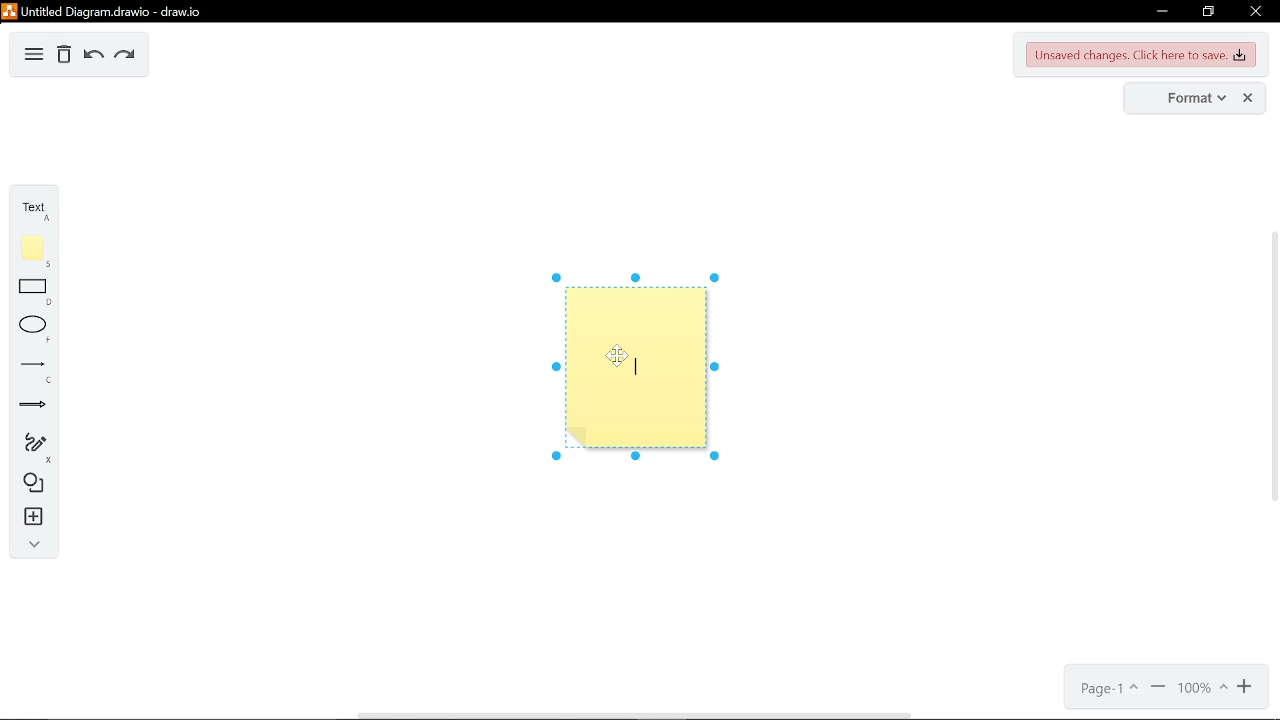 This screenshot has width=1280, height=720. I want to click on current window: Untitled Diagram.drawio - draw.io, so click(108, 11).